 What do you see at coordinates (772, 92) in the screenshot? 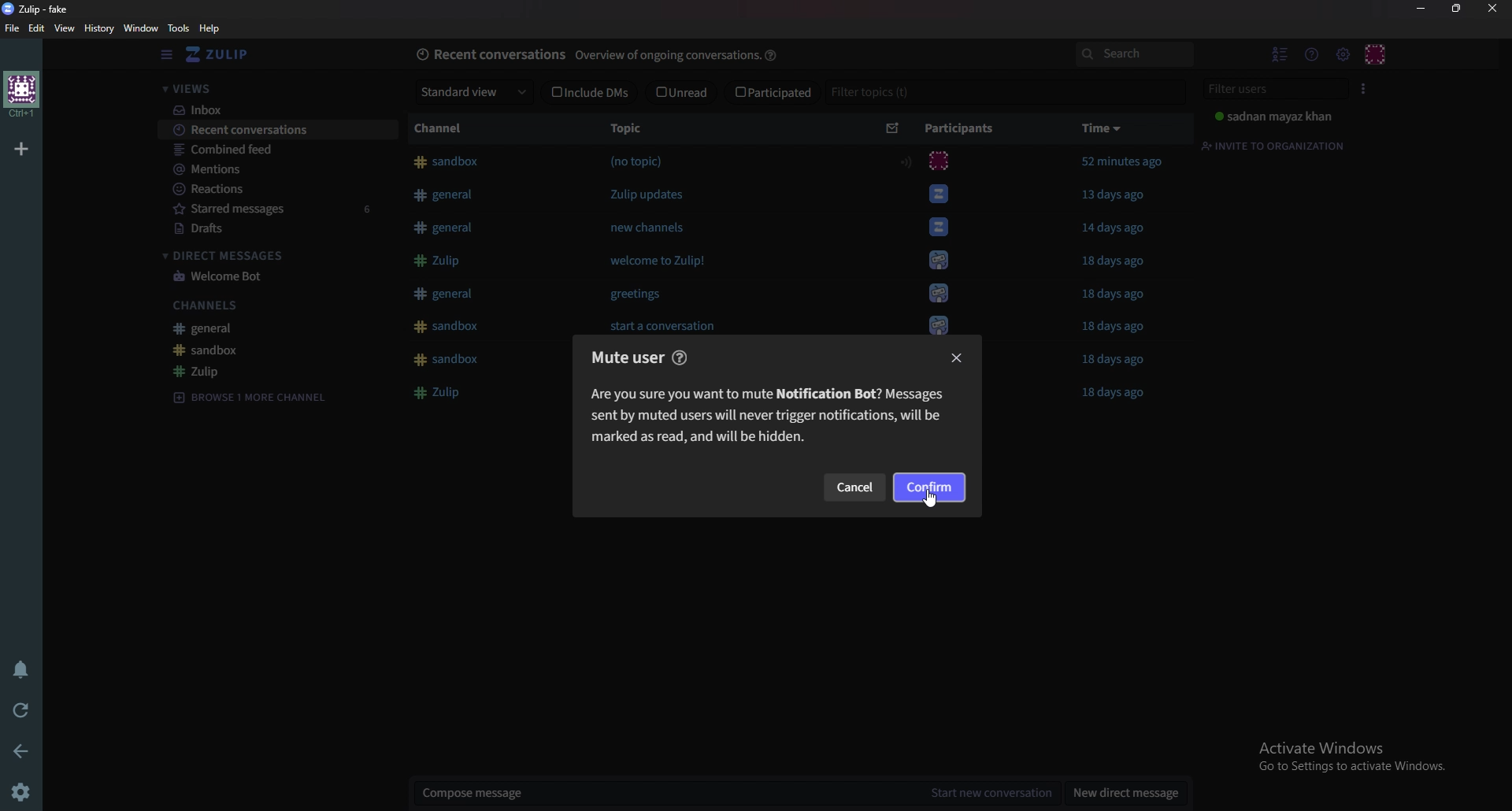
I see `Participated` at bounding box center [772, 92].